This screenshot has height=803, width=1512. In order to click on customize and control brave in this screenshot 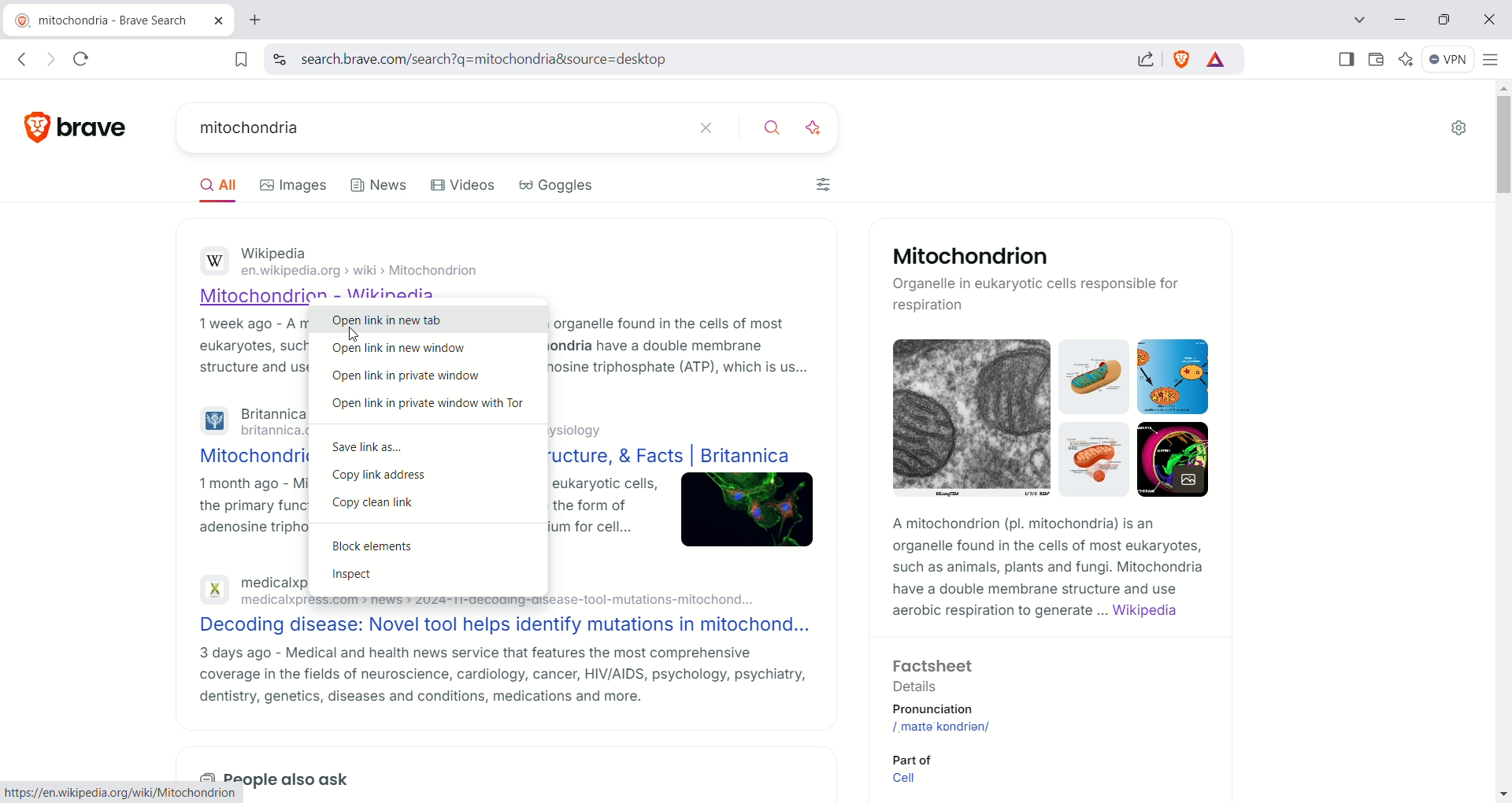, I will do `click(1495, 61)`.